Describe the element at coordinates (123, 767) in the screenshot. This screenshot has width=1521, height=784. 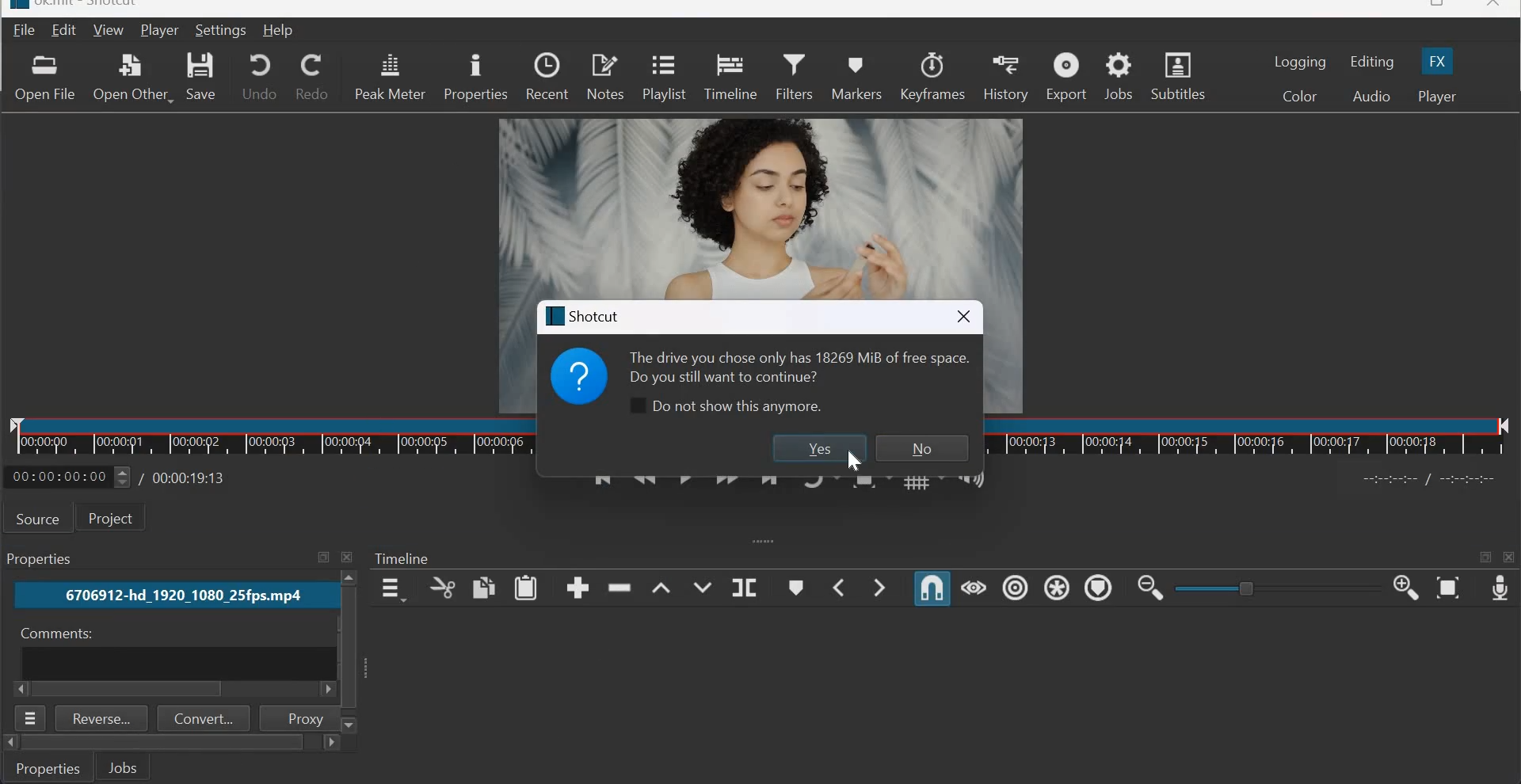
I see `Jobs` at that location.